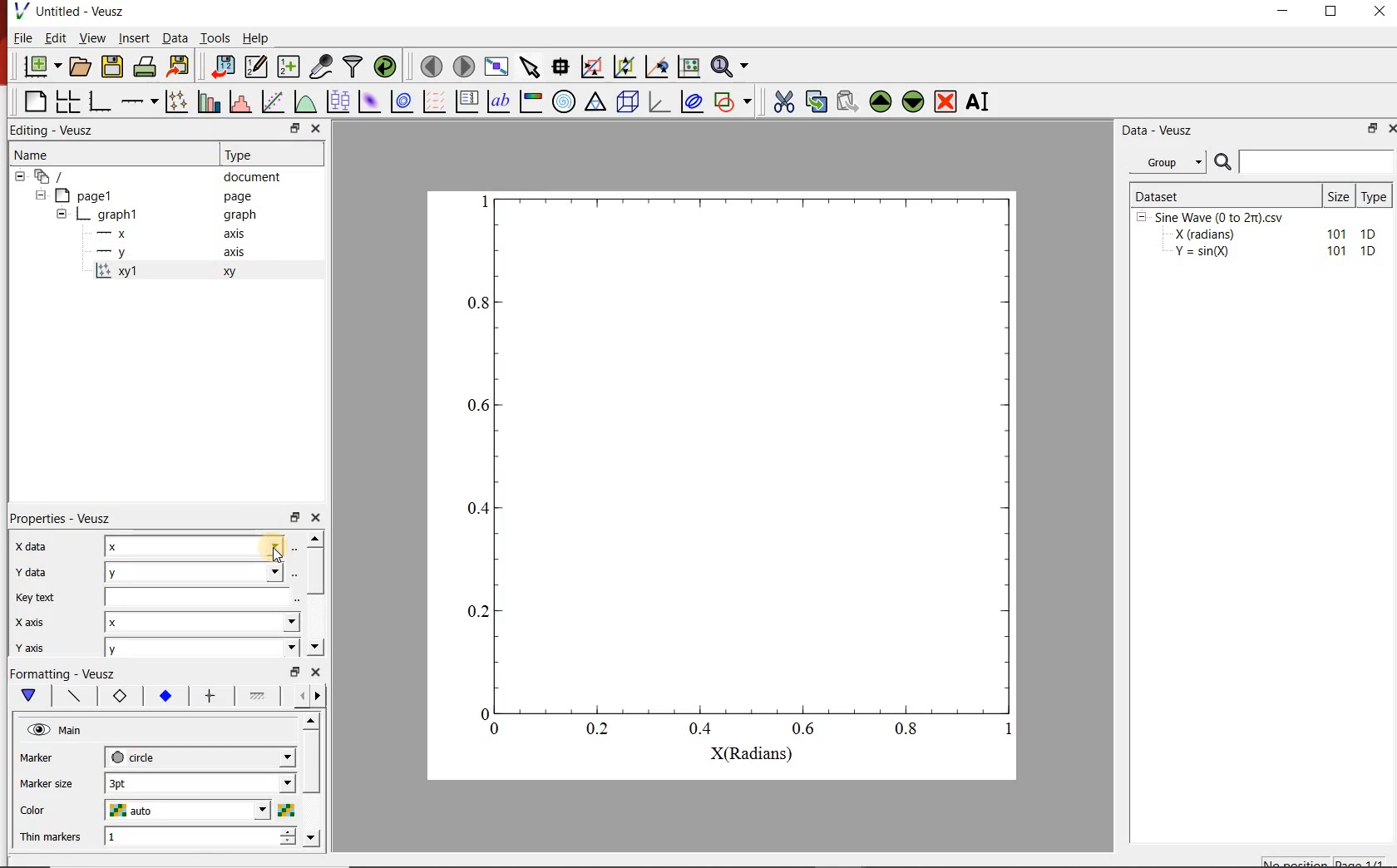 This screenshot has height=868, width=1397. I want to click on Min/Max, so click(293, 129).